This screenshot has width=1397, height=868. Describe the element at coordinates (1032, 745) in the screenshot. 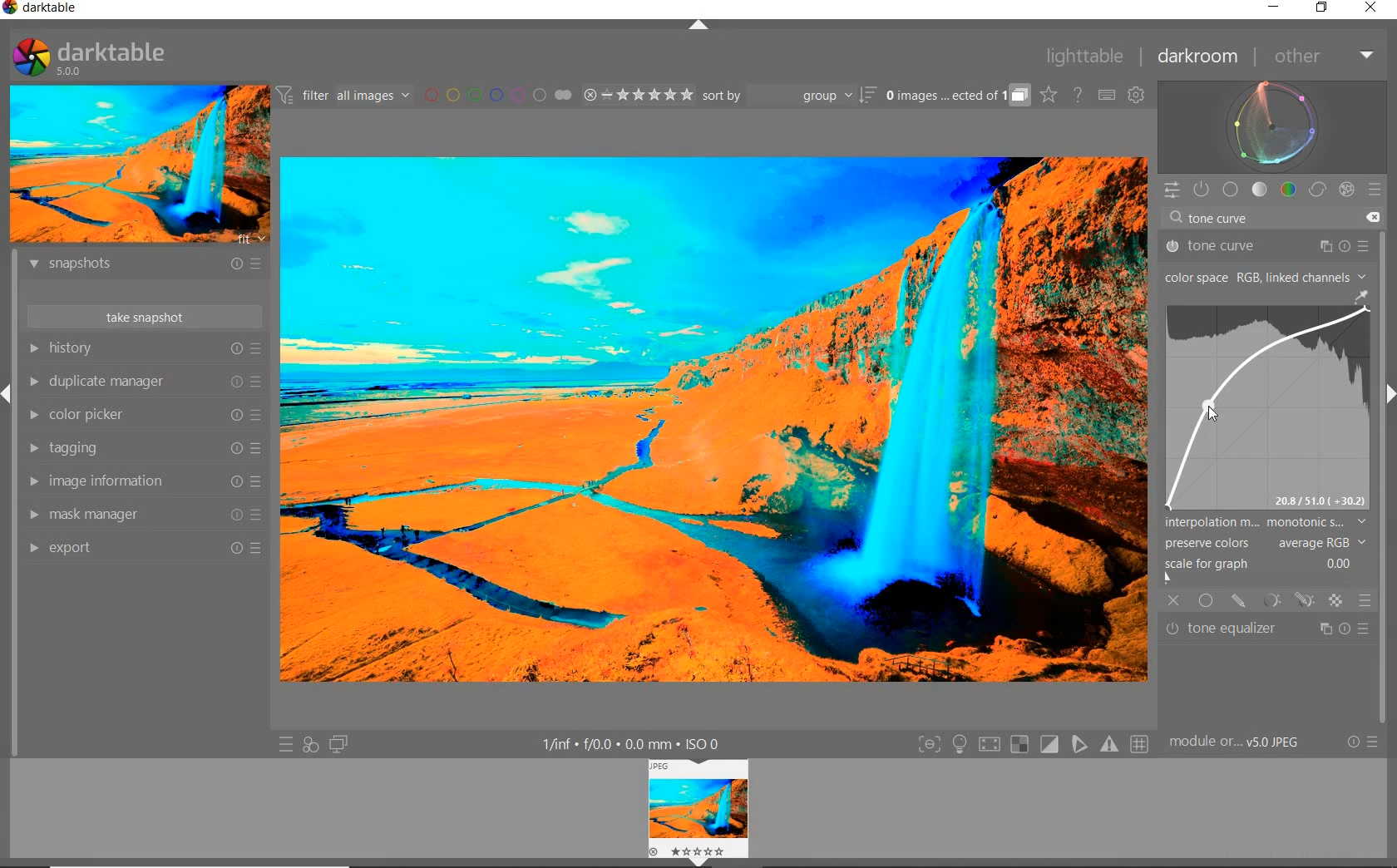

I see `TOGGLE MODES` at that location.